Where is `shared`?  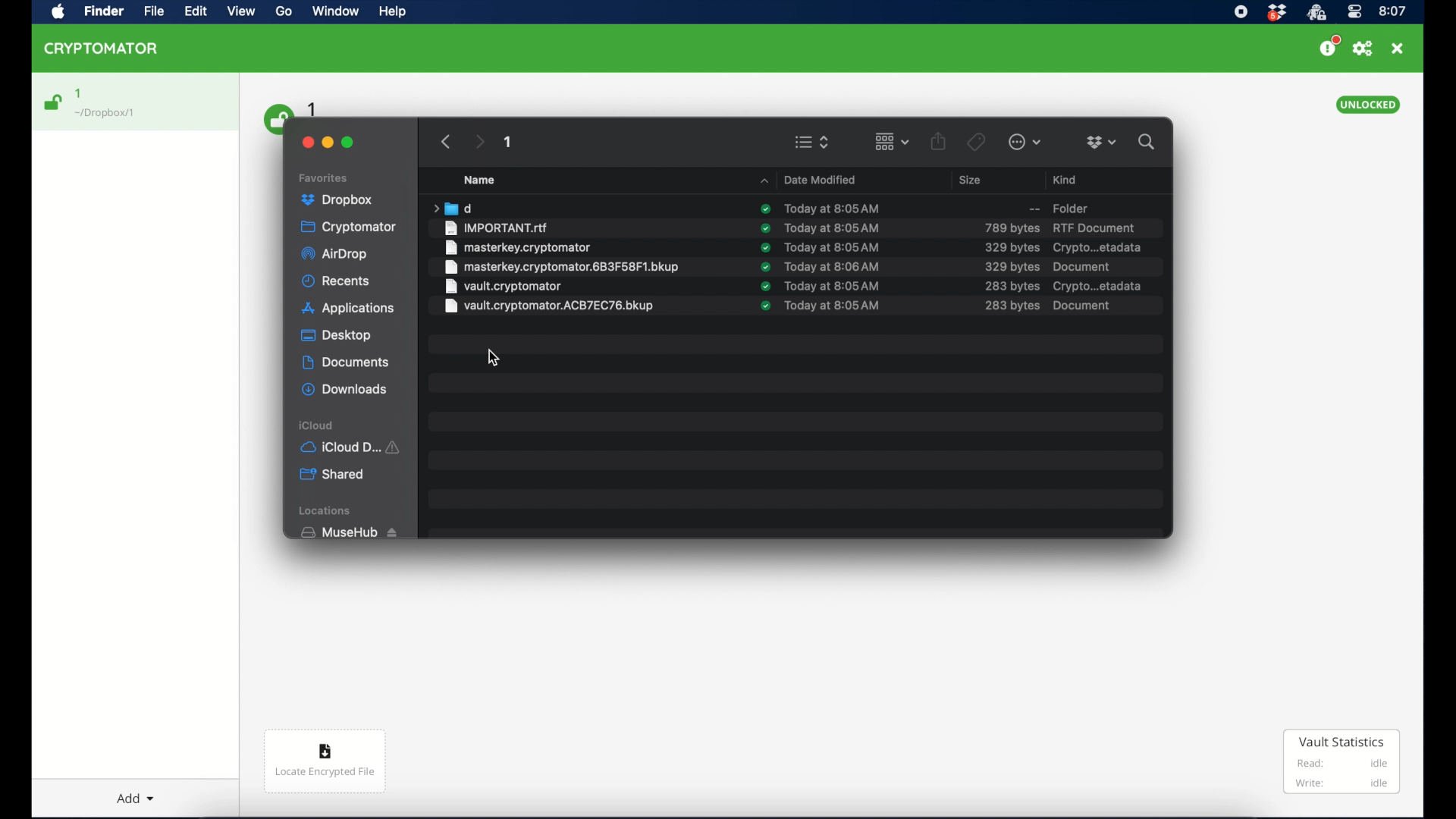
shared is located at coordinates (334, 475).